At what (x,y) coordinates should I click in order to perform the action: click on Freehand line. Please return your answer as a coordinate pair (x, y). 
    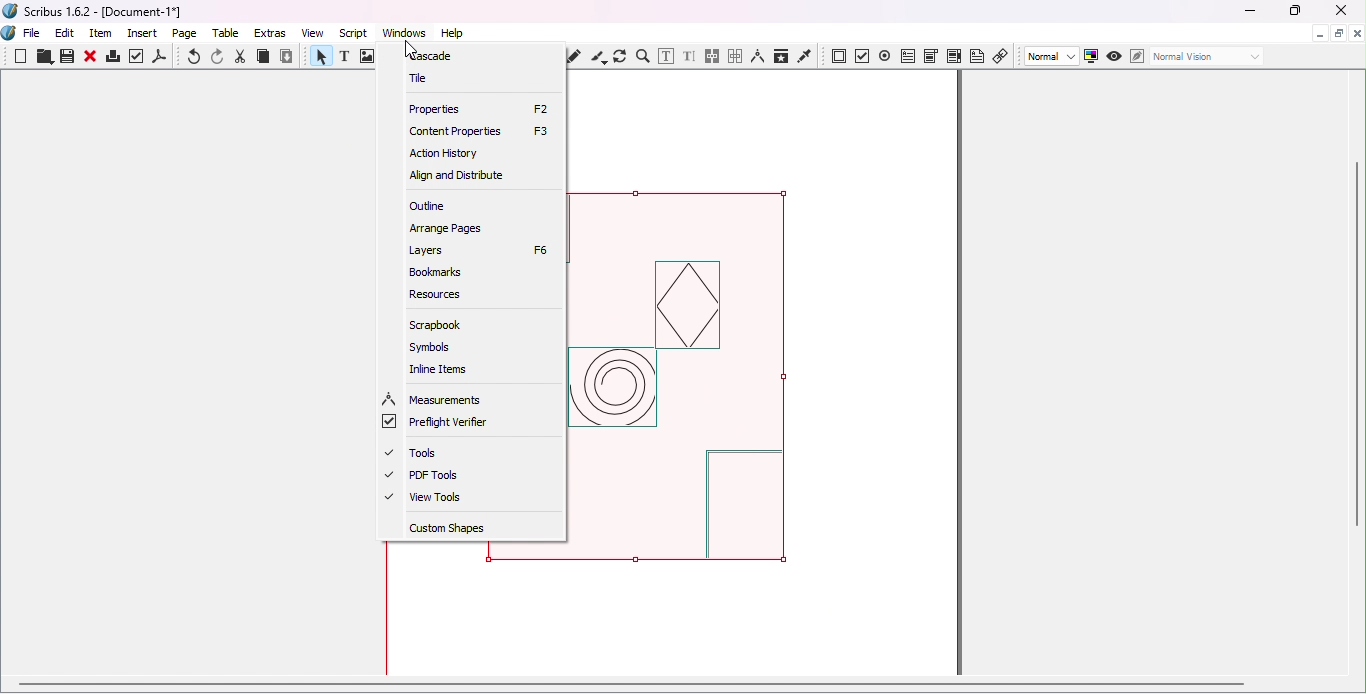
    Looking at the image, I should click on (577, 56).